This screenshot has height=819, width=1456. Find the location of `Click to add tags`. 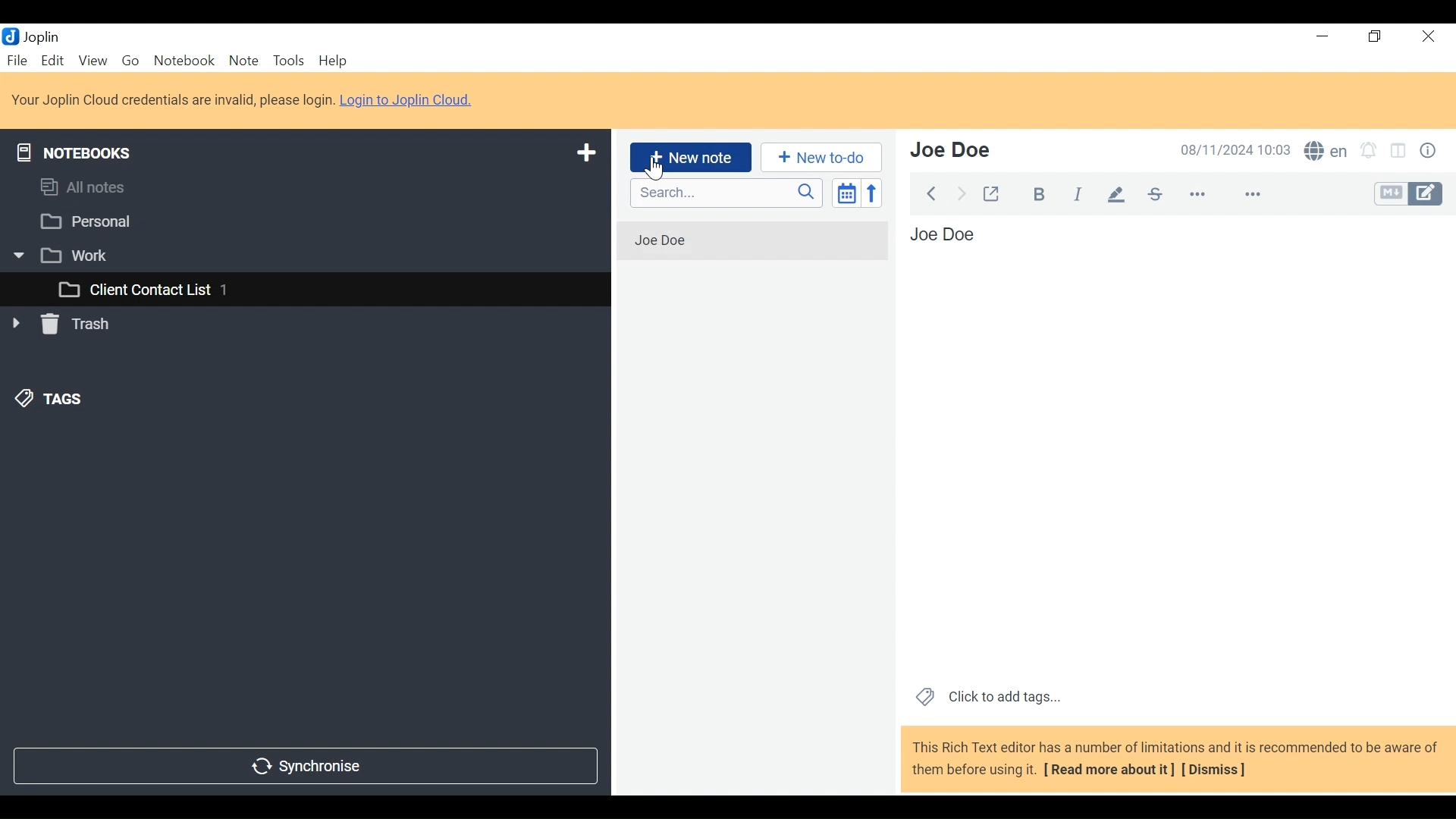

Click to add tags is located at coordinates (985, 698).